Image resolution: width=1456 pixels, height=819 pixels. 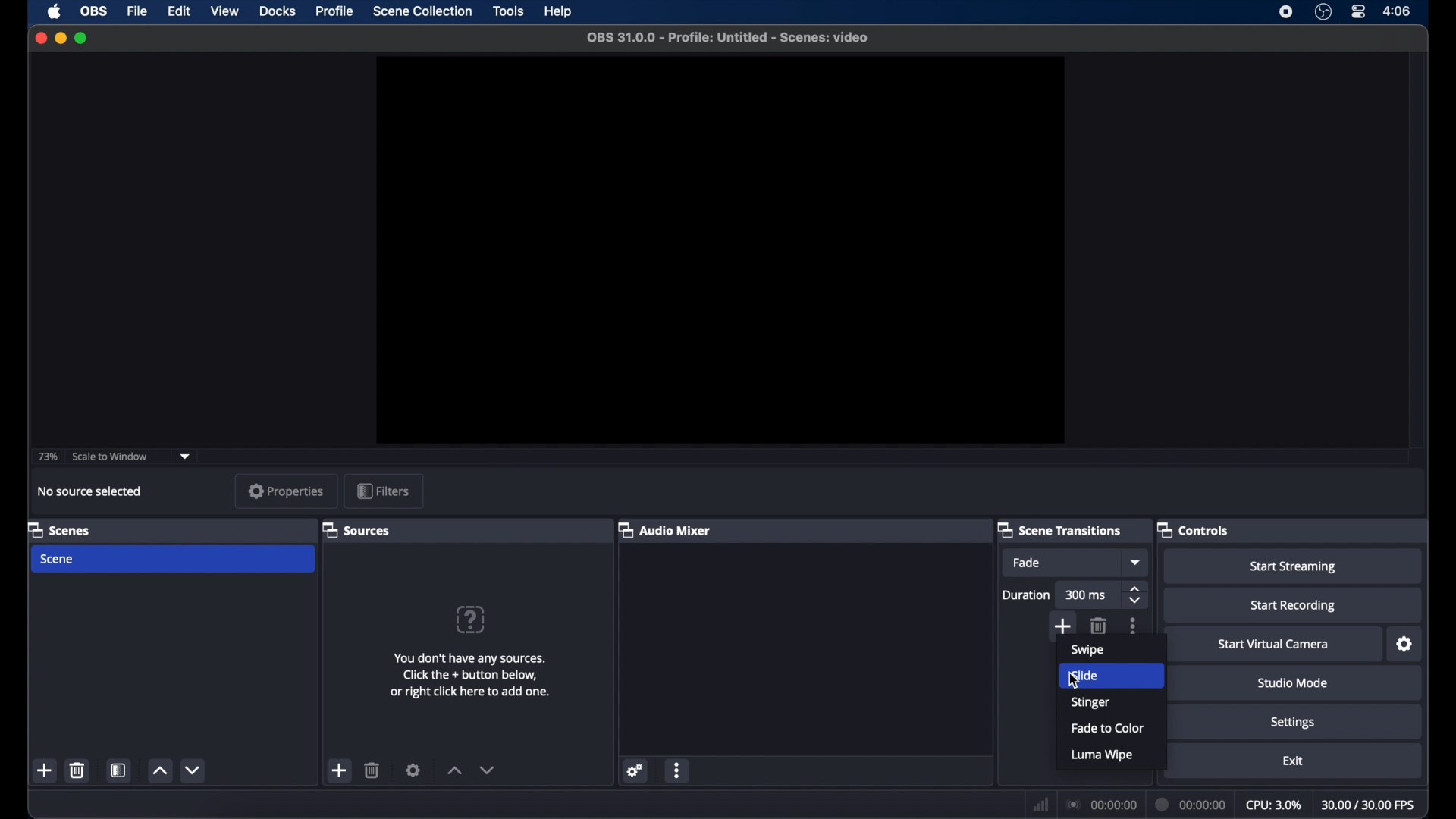 I want to click on cpu, so click(x=1274, y=804).